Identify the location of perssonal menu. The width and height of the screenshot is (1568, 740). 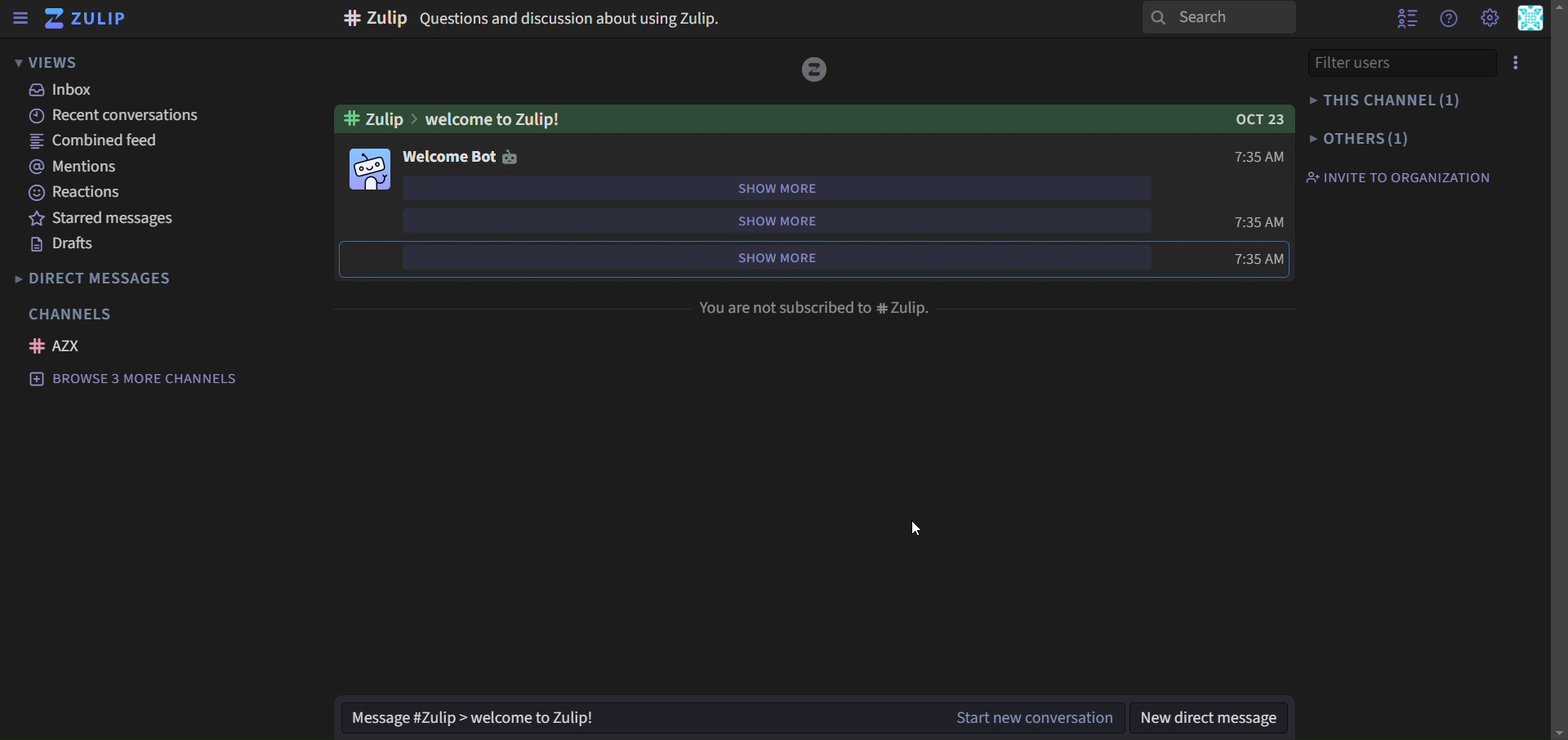
(1530, 19).